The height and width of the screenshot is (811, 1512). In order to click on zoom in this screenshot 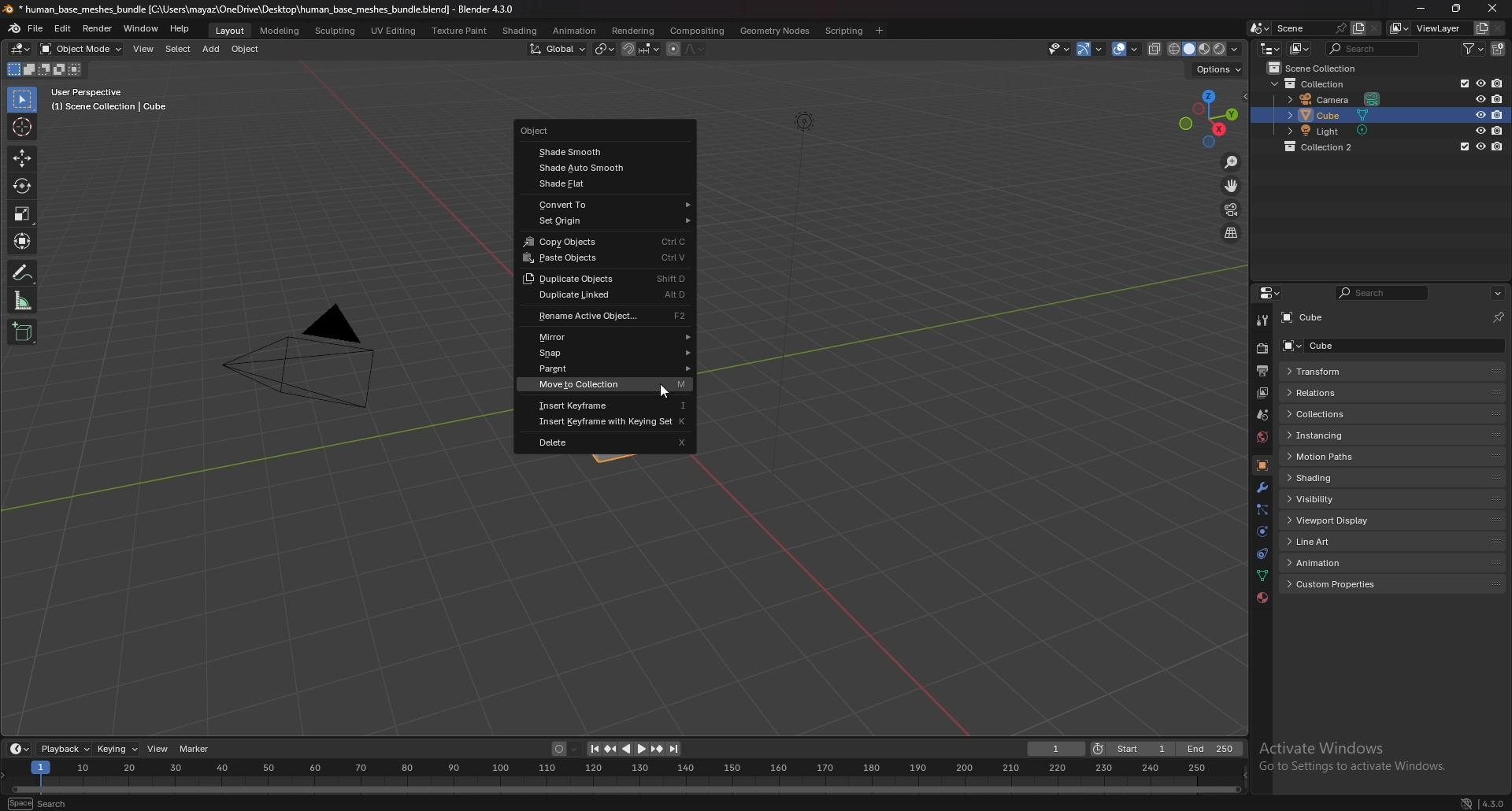, I will do `click(1232, 161)`.